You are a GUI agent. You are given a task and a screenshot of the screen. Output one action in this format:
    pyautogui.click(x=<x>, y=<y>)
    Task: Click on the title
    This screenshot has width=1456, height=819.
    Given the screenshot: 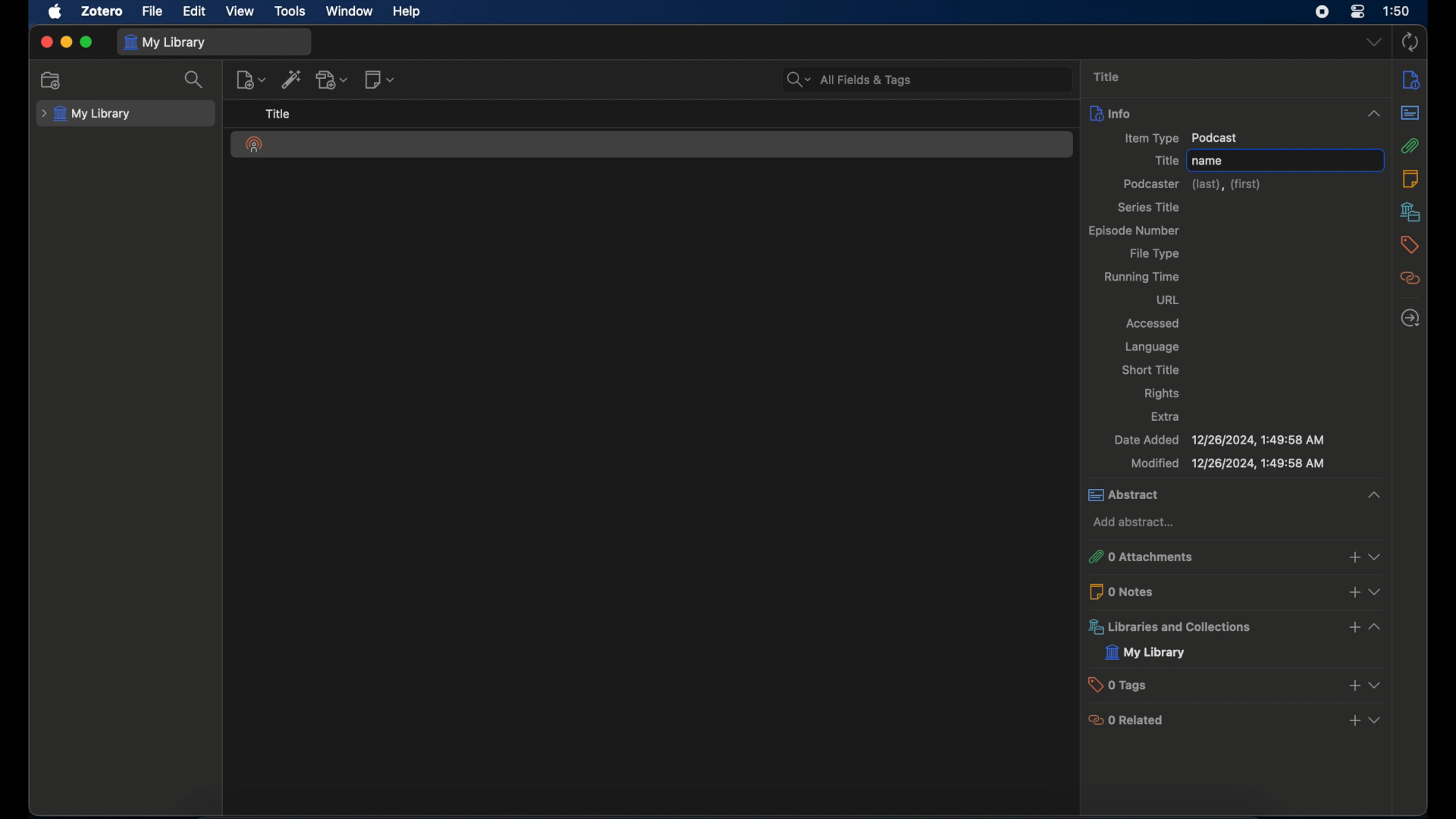 What is the action you would take?
    pyautogui.click(x=1165, y=160)
    